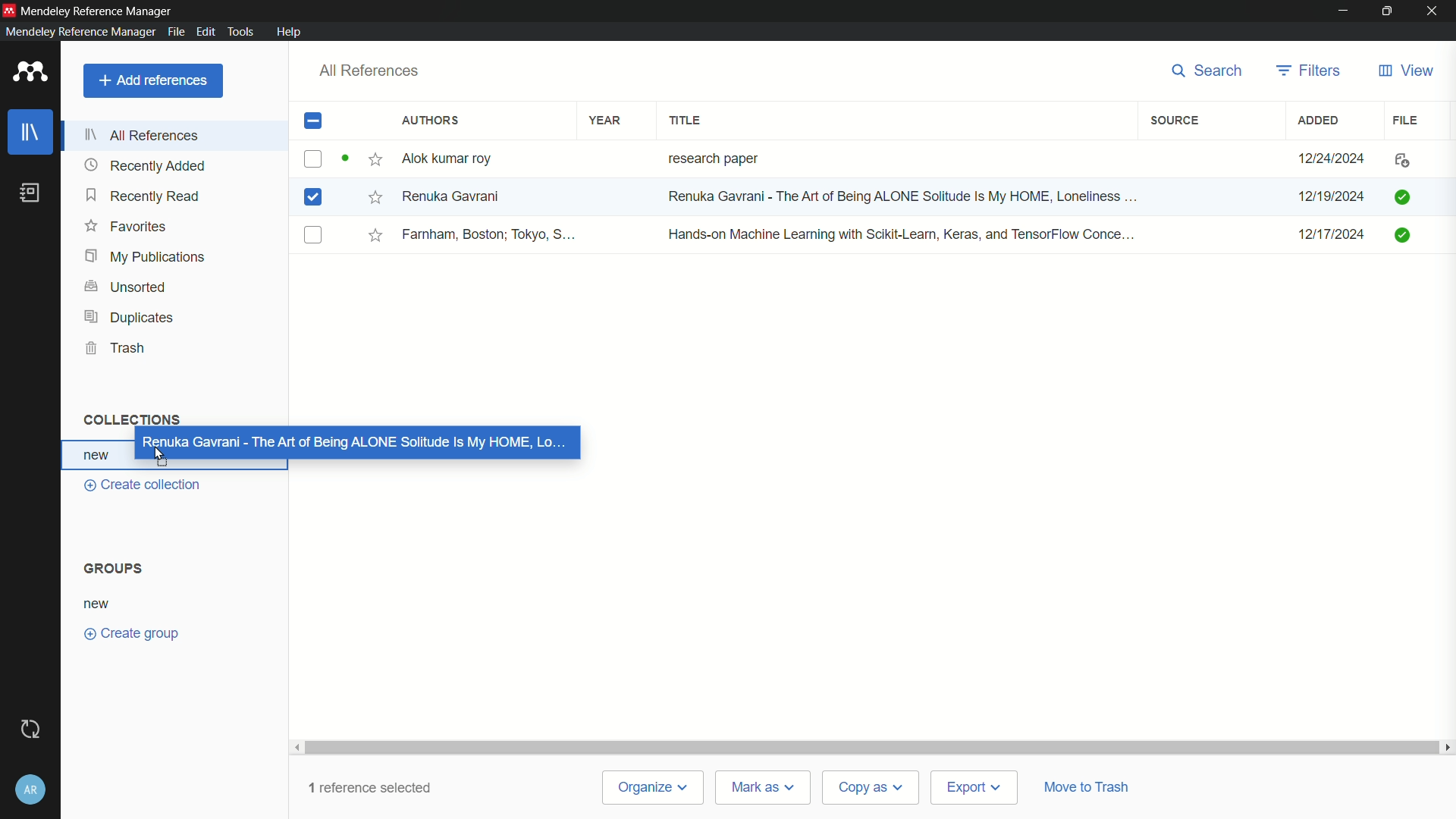  What do you see at coordinates (492, 235) in the screenshot?
I see `Farnham, Boston; Tokyo, S...` at bounding box center [492, 235].